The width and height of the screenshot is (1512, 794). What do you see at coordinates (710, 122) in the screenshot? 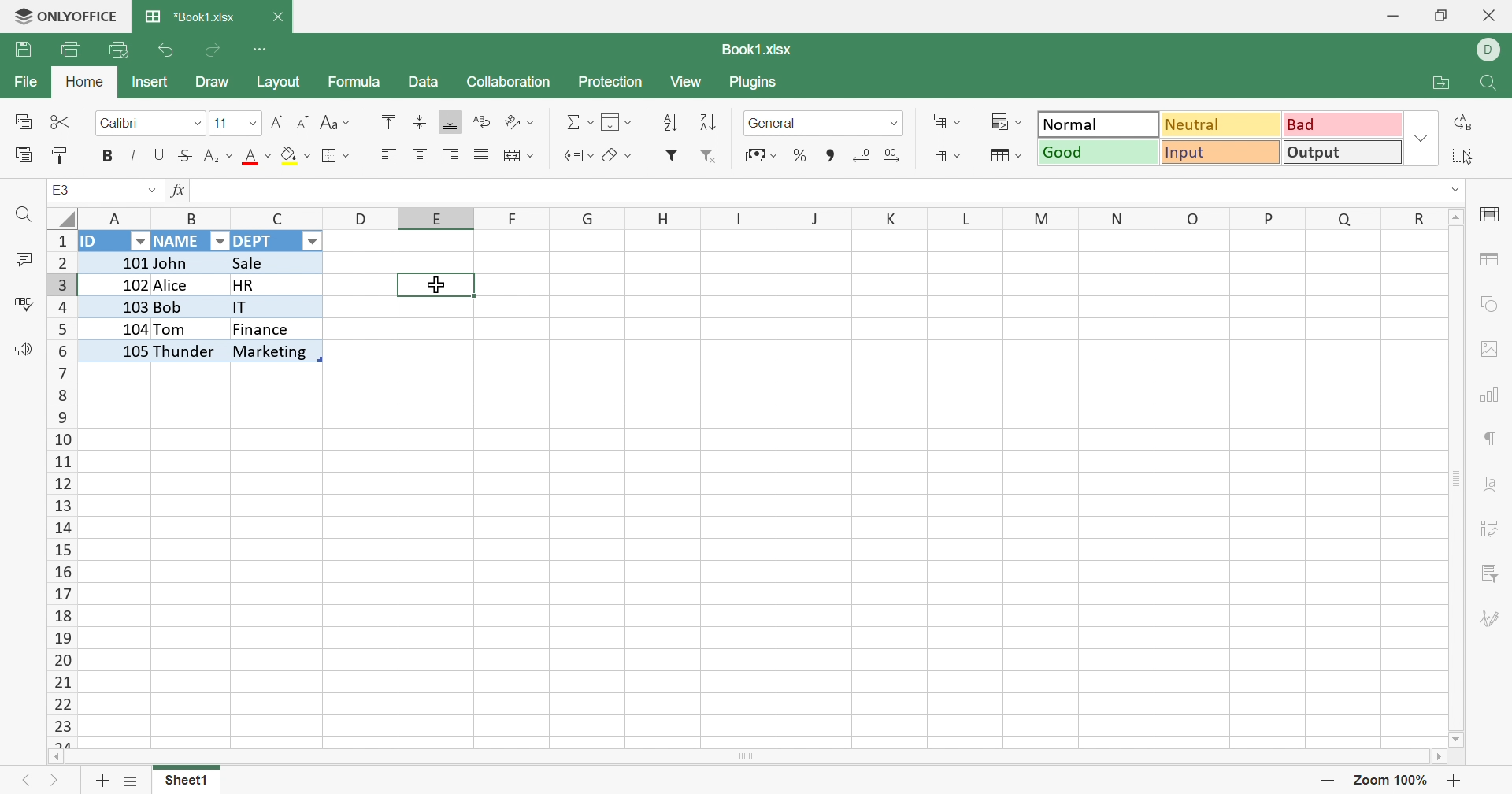
I see `Descending order` at bounding box center [710, 122].